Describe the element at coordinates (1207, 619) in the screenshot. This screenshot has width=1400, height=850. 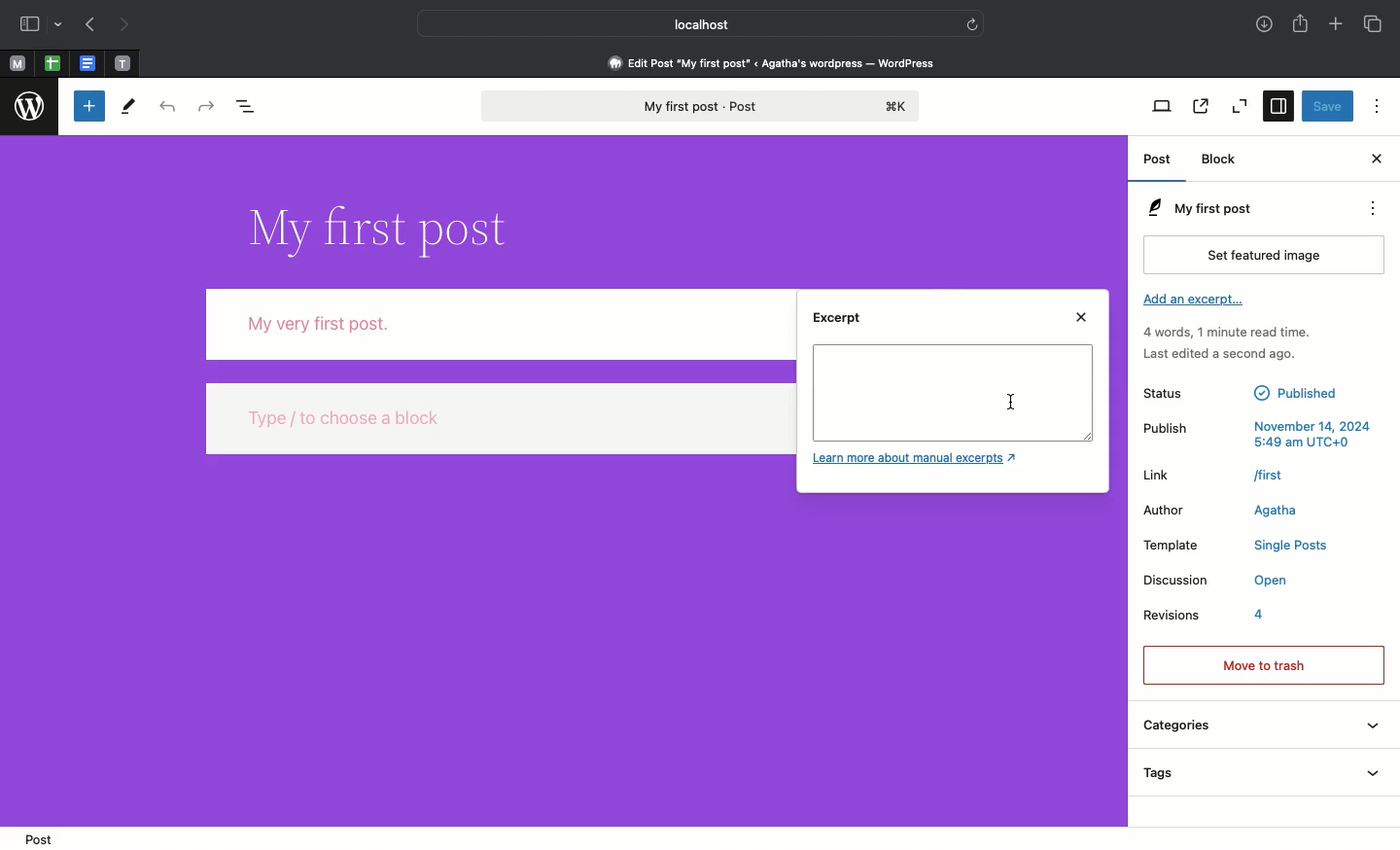
I see `Revisions` at that location.